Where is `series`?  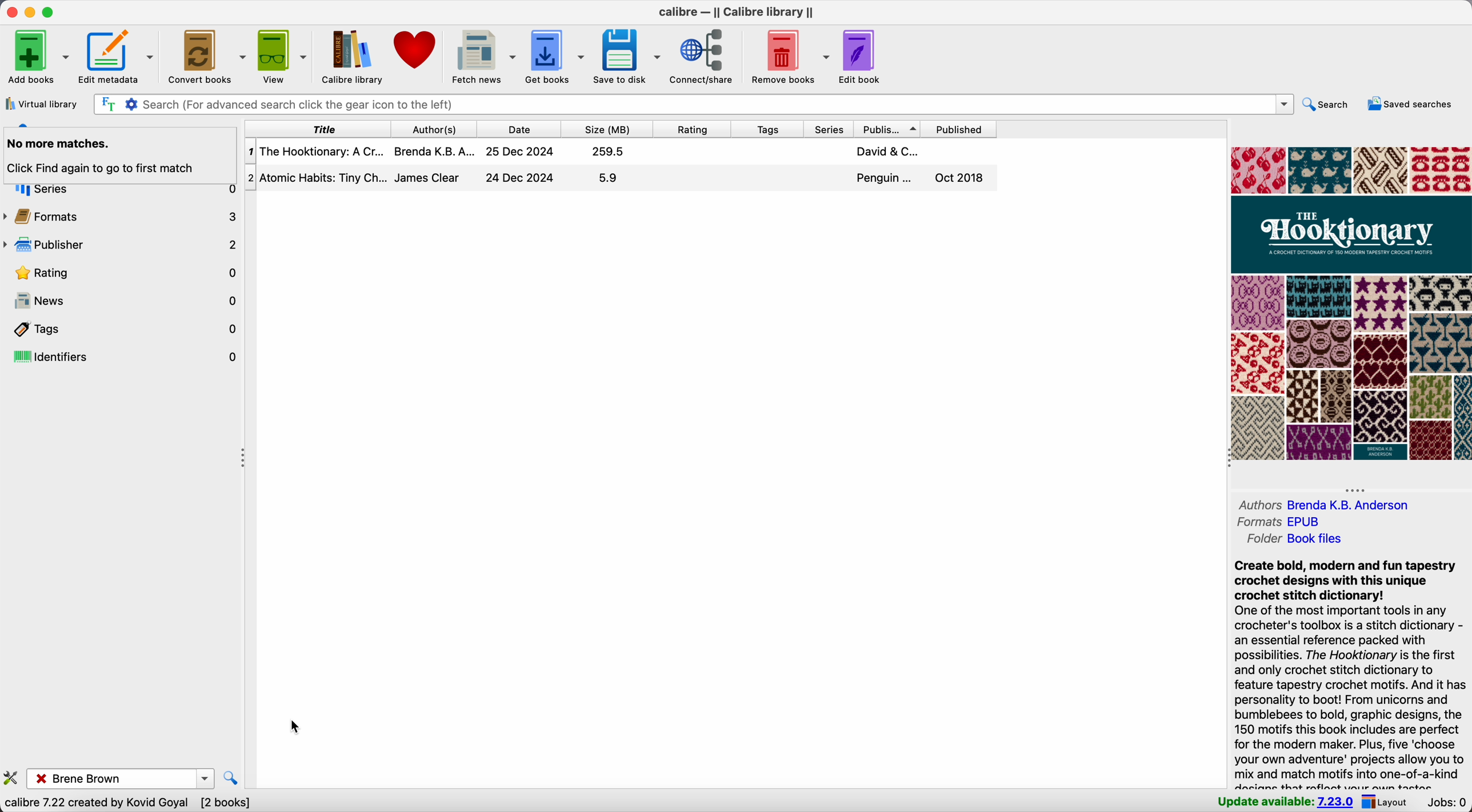
series is located at coordinates (832, 130).